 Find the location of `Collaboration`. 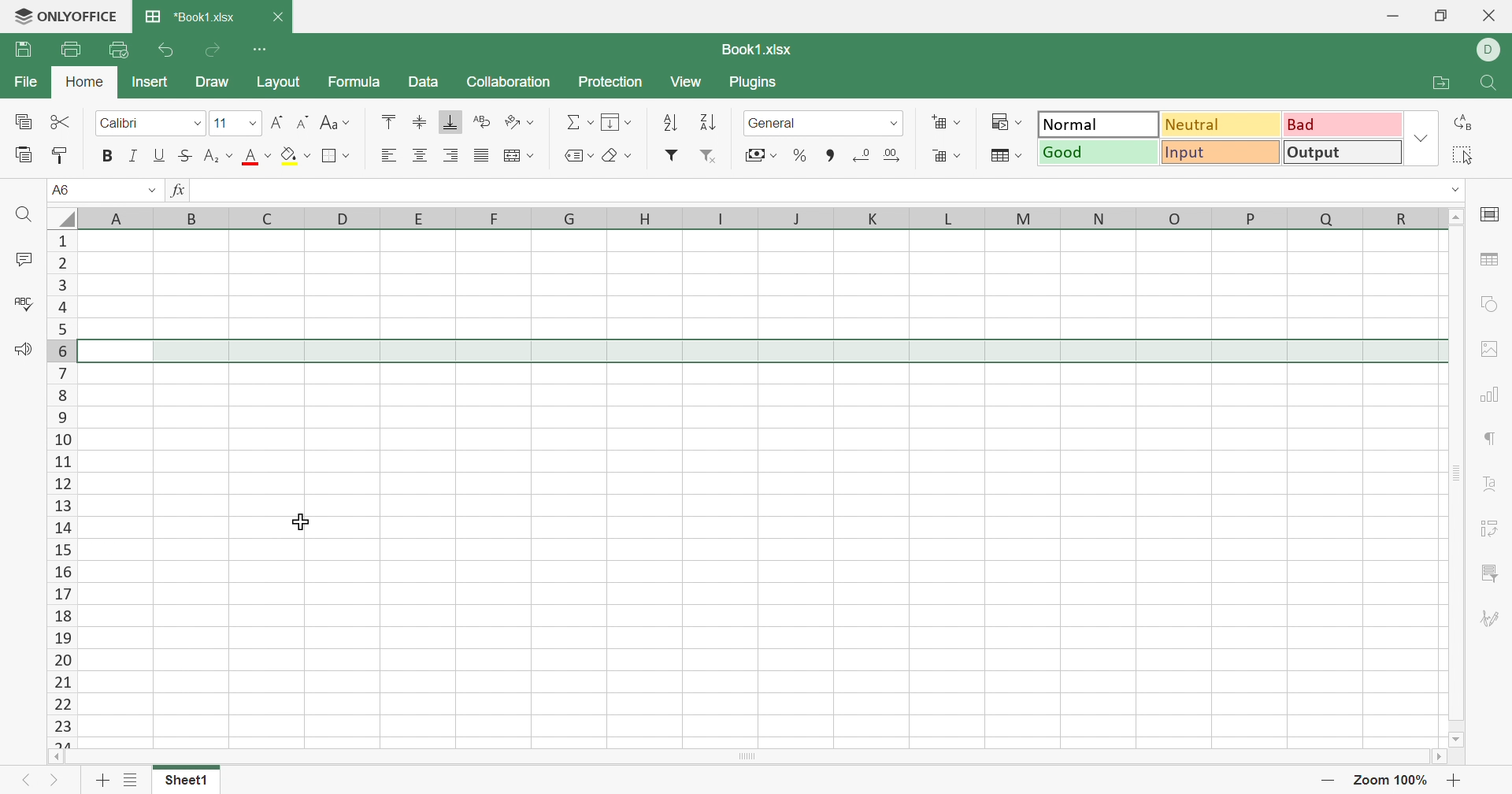

Collaboration is located at coordinates (508, 80).